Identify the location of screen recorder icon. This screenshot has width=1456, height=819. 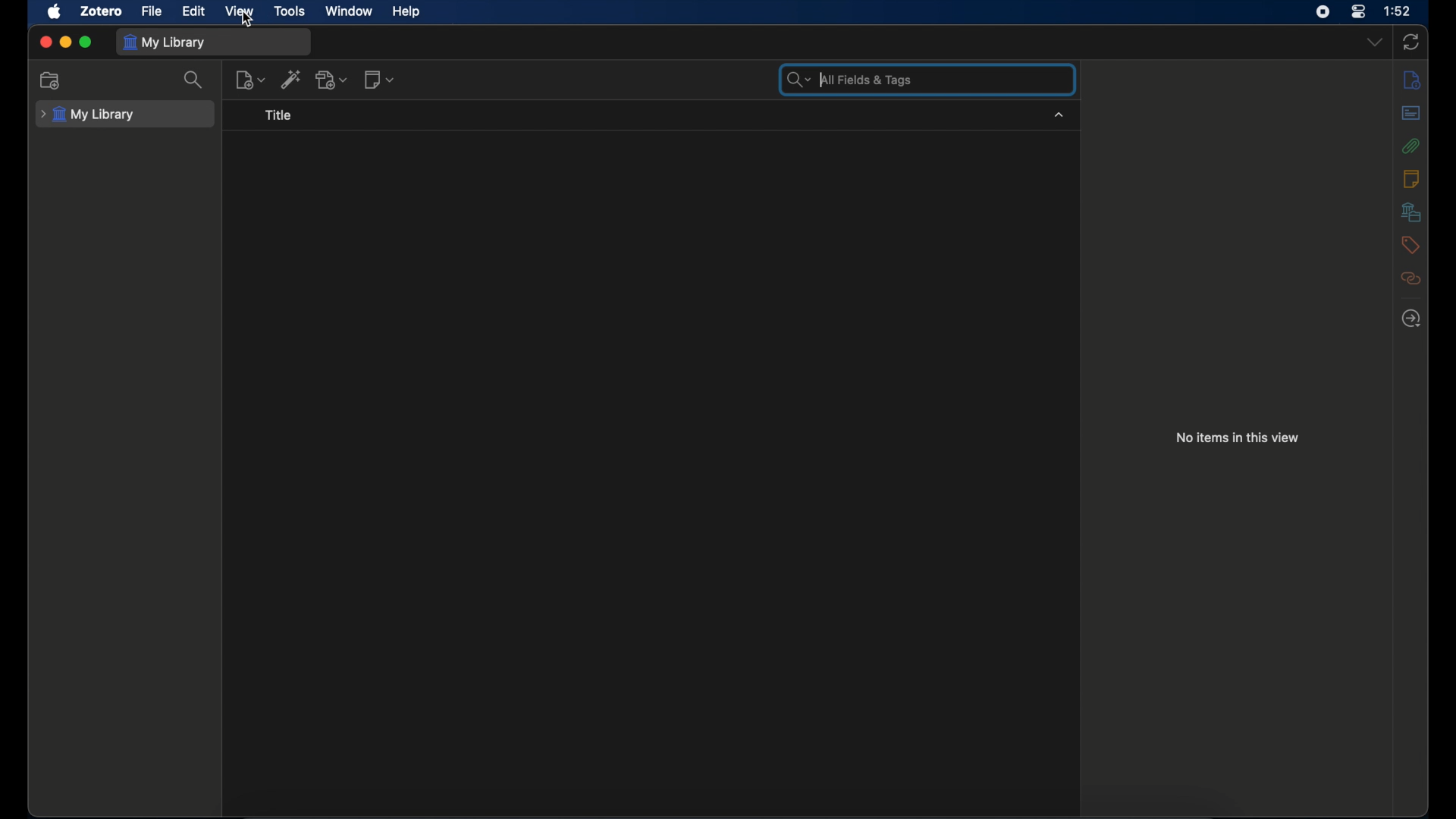
(1321, 12).